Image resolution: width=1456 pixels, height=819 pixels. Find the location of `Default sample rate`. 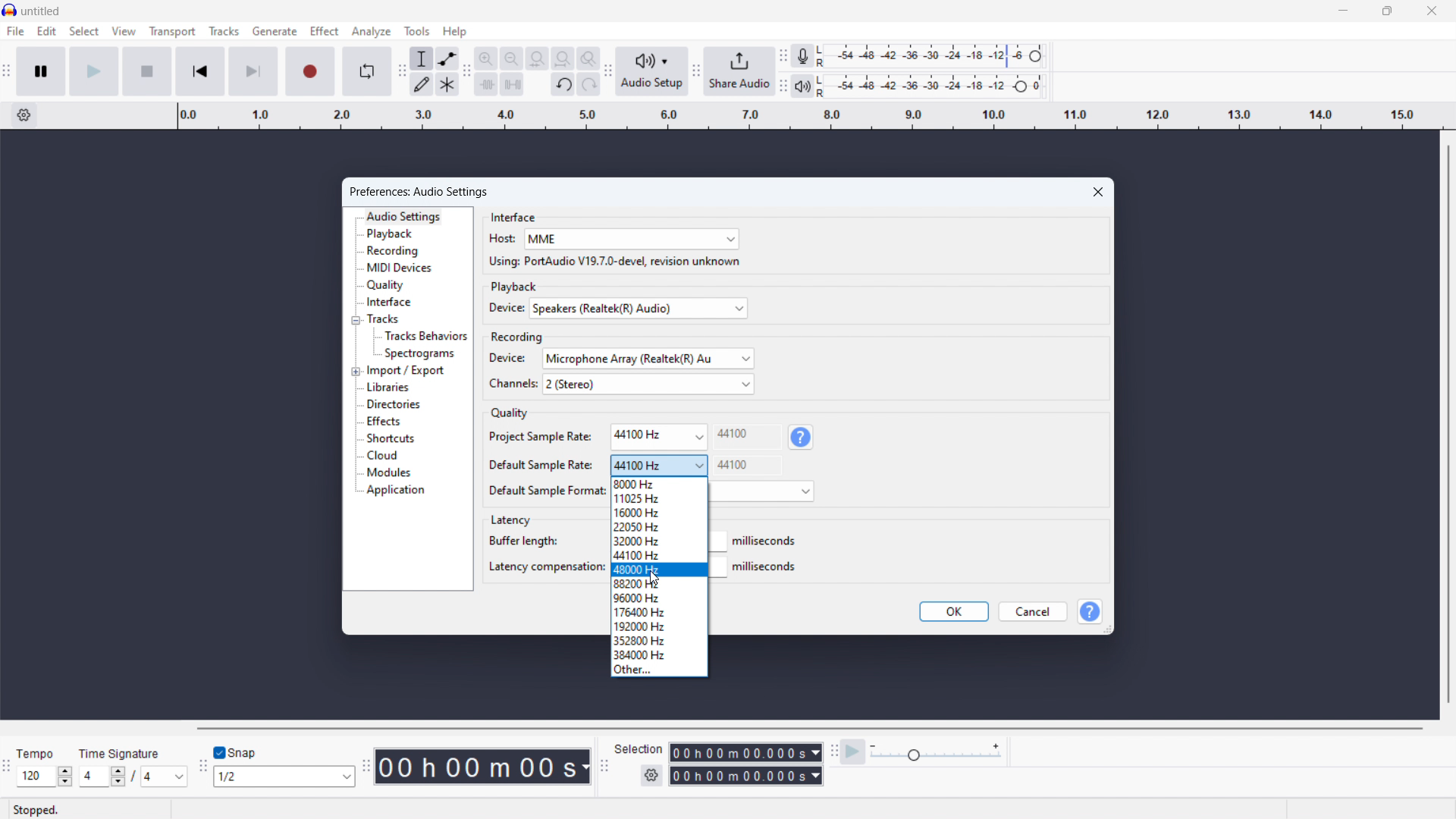

Default sample rate is located at coordinates (539, 465).